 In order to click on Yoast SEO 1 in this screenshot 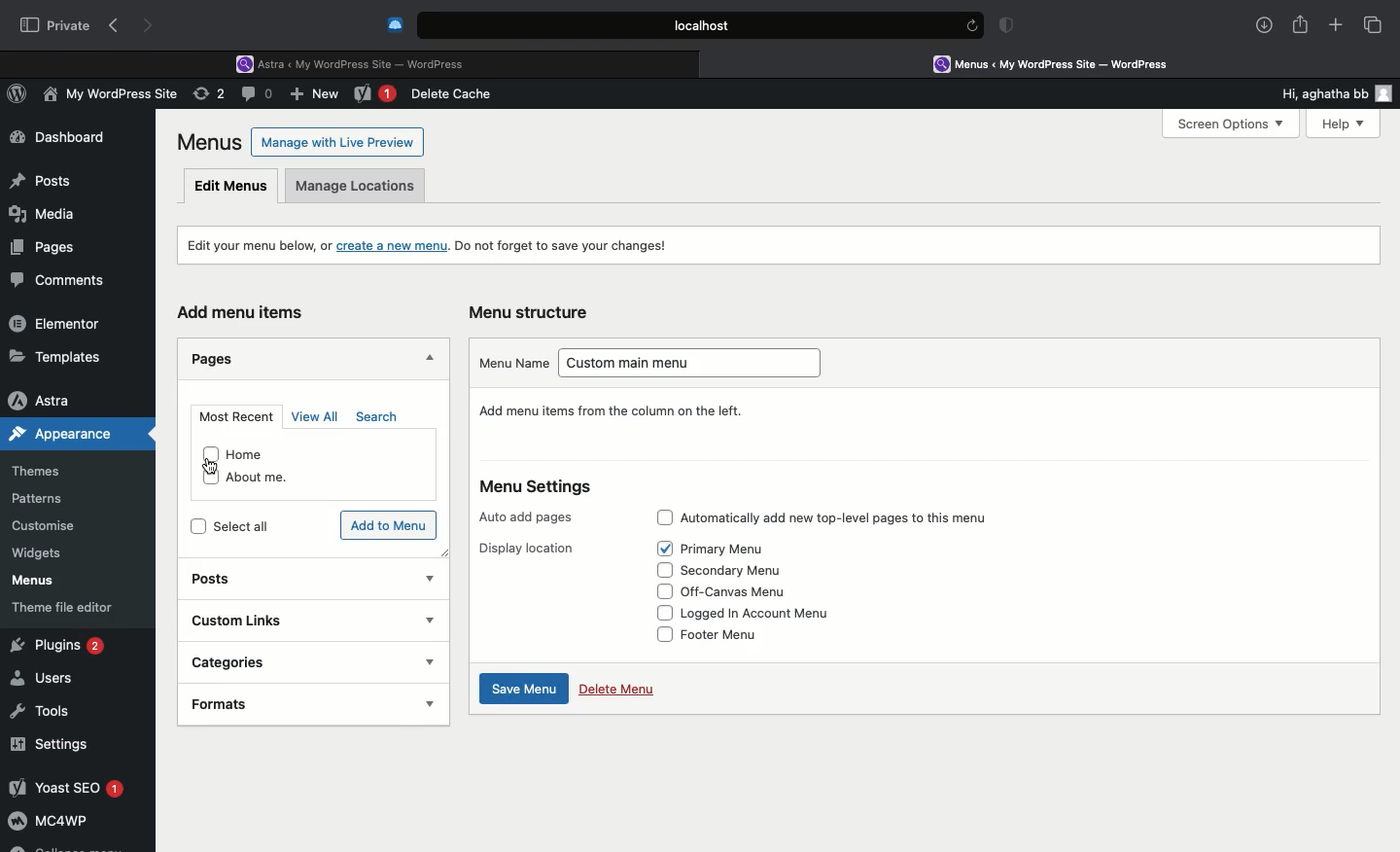, I will do `click(65, 787)`.